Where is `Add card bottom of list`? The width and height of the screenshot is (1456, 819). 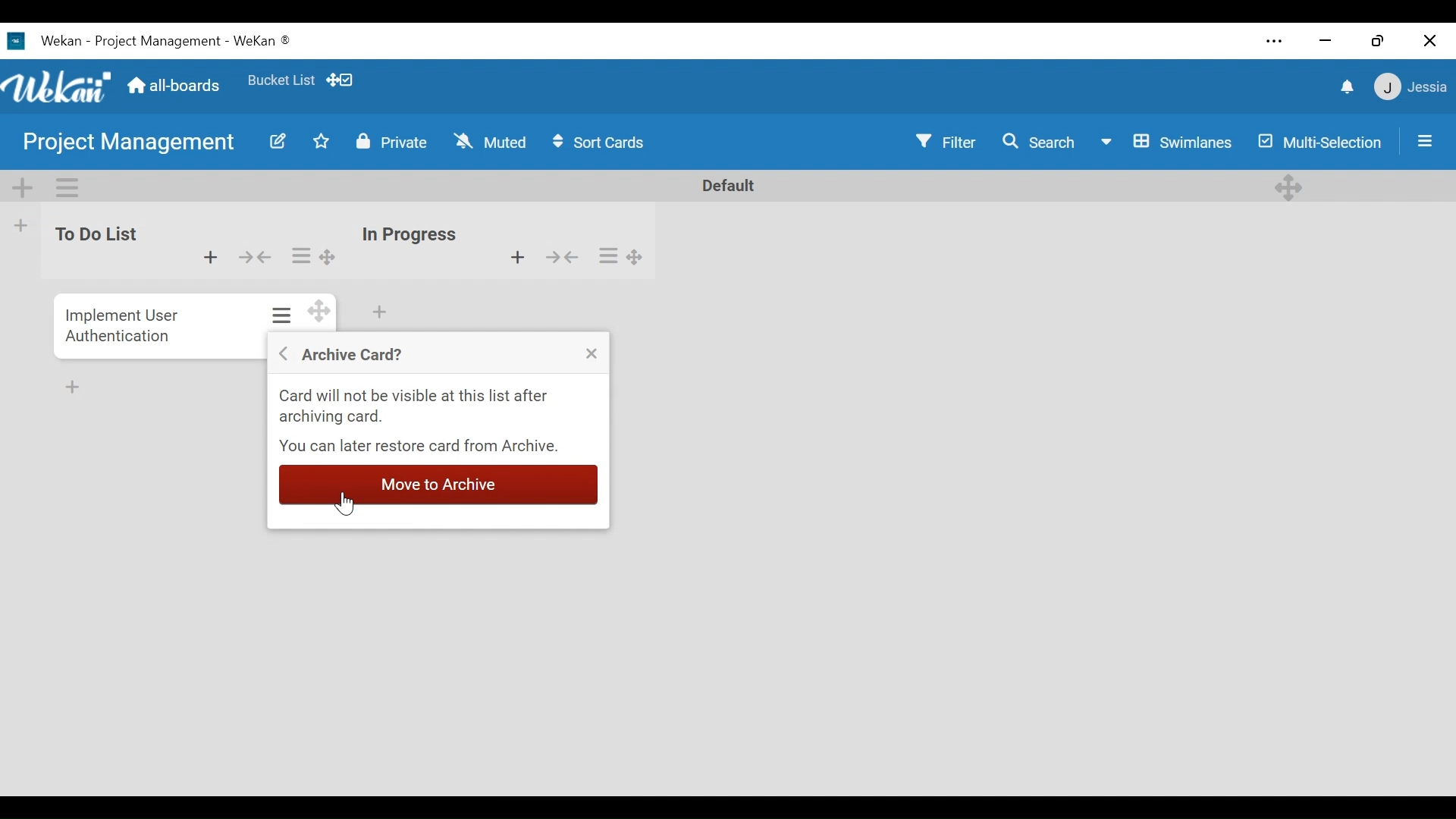 Add card bottom of list is located at coordinates (381, 312).